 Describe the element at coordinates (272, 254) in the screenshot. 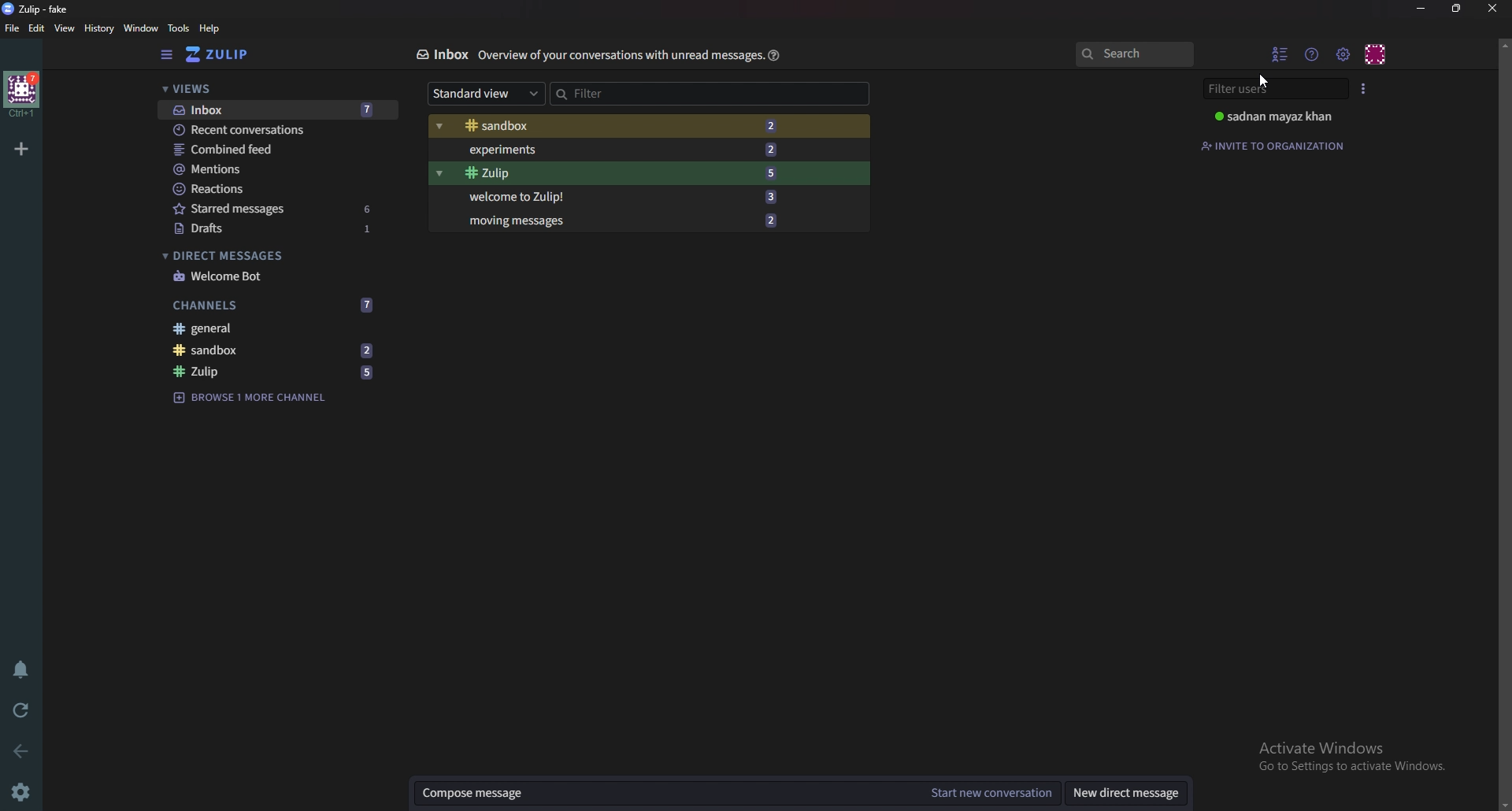

I see `Direct messages` at that location.